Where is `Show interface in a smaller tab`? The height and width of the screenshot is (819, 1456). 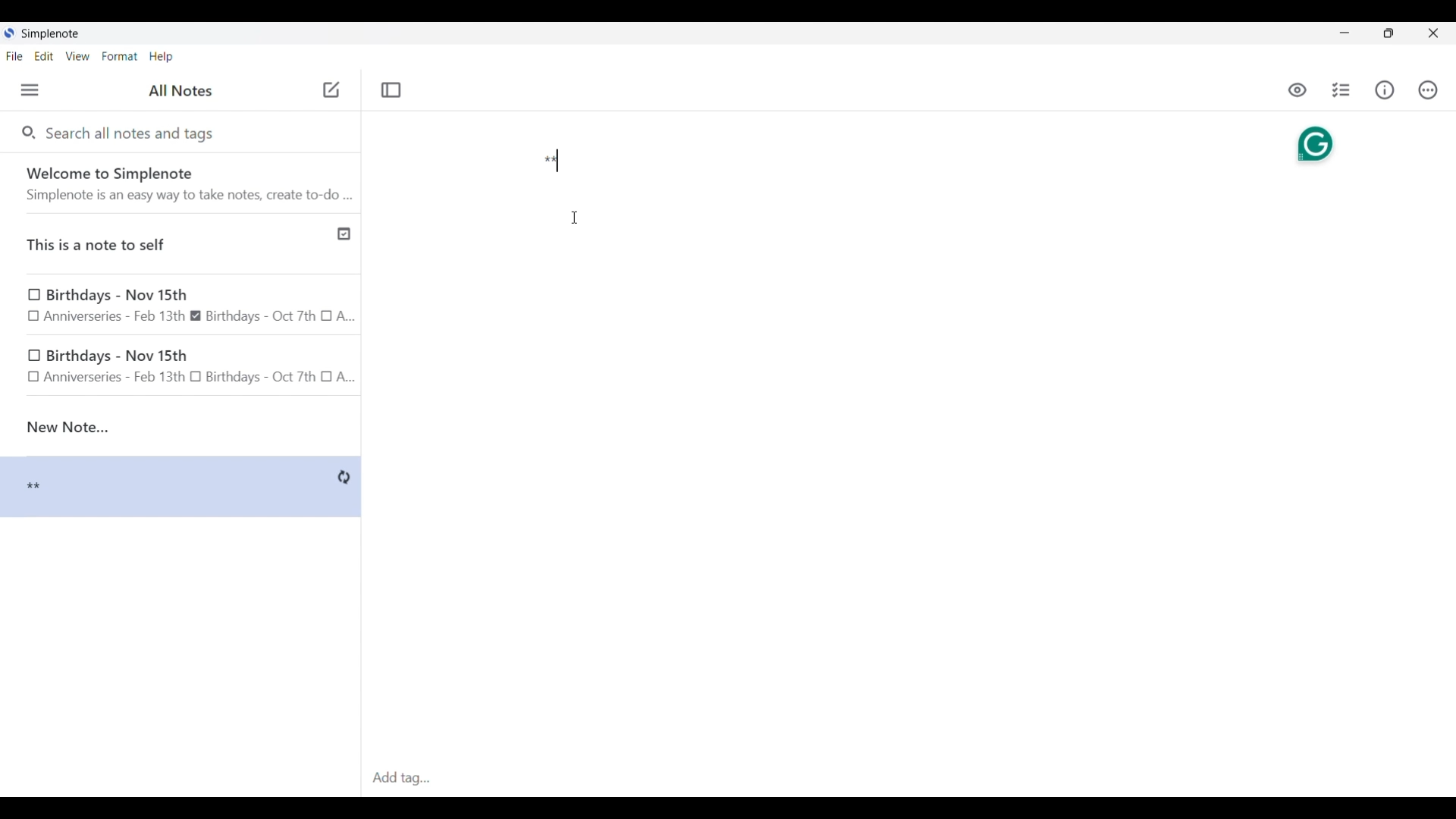 Show interface in a smaller tab is located at coordinates (1389, 33).